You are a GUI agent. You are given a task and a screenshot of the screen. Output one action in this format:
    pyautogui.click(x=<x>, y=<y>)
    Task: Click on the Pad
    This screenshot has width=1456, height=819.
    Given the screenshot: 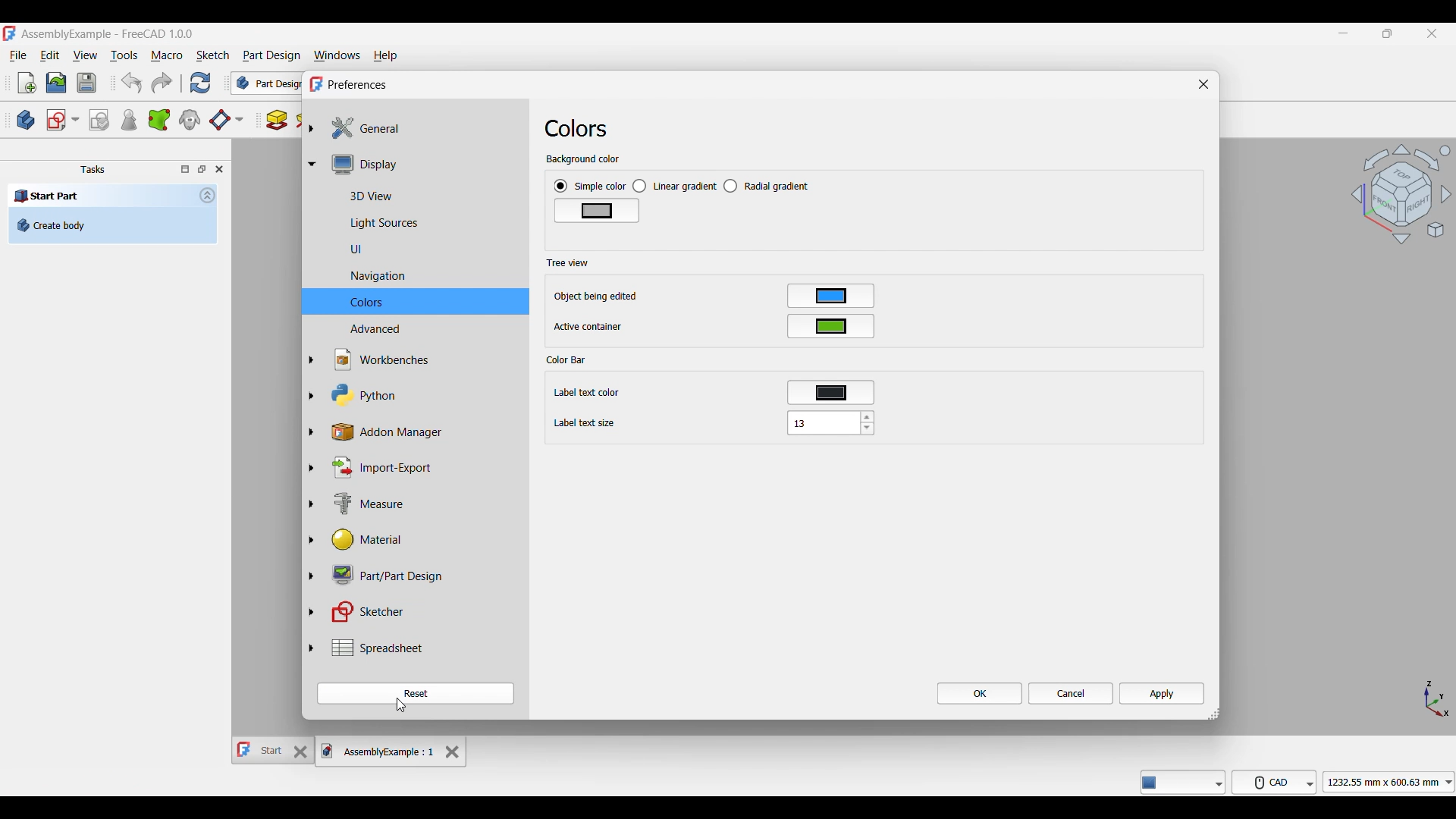 What is the action you would take?
    pyautogui.click(x=277, y=121)
    